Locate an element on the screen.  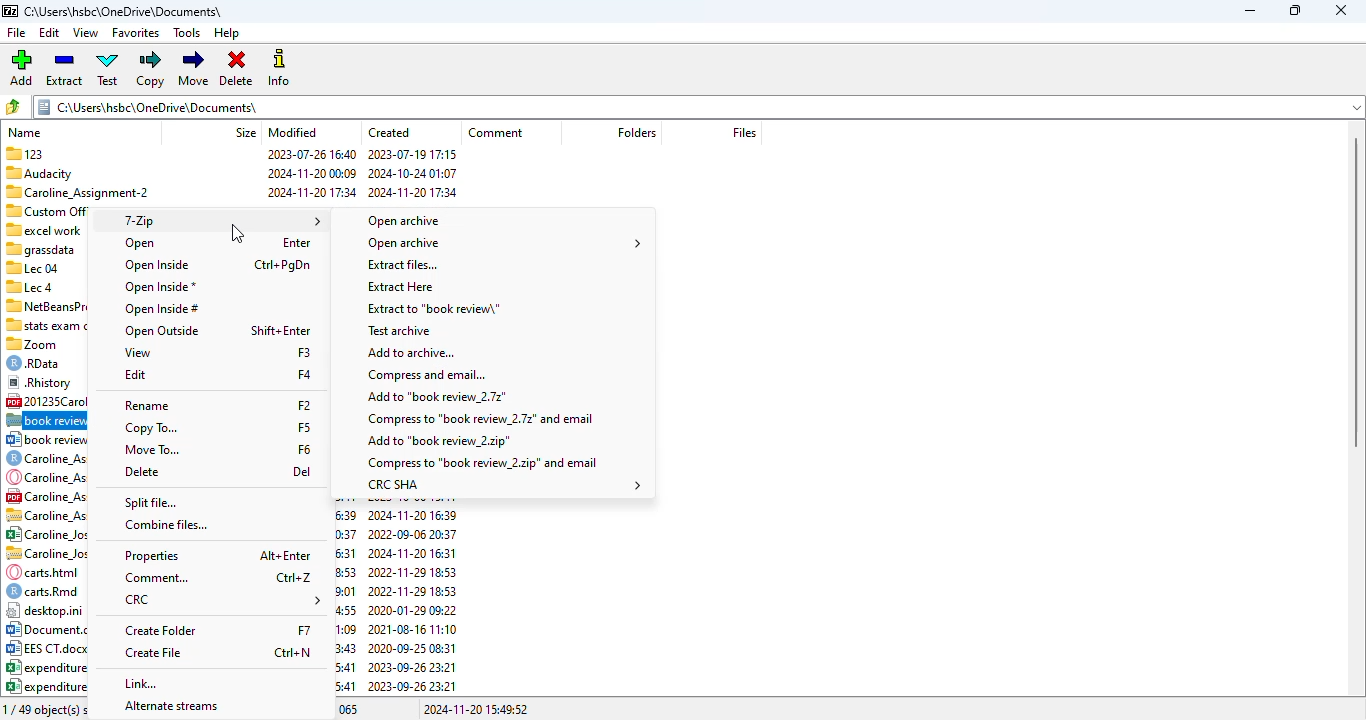
shortcut for delete is located at coordinates (302, 471).